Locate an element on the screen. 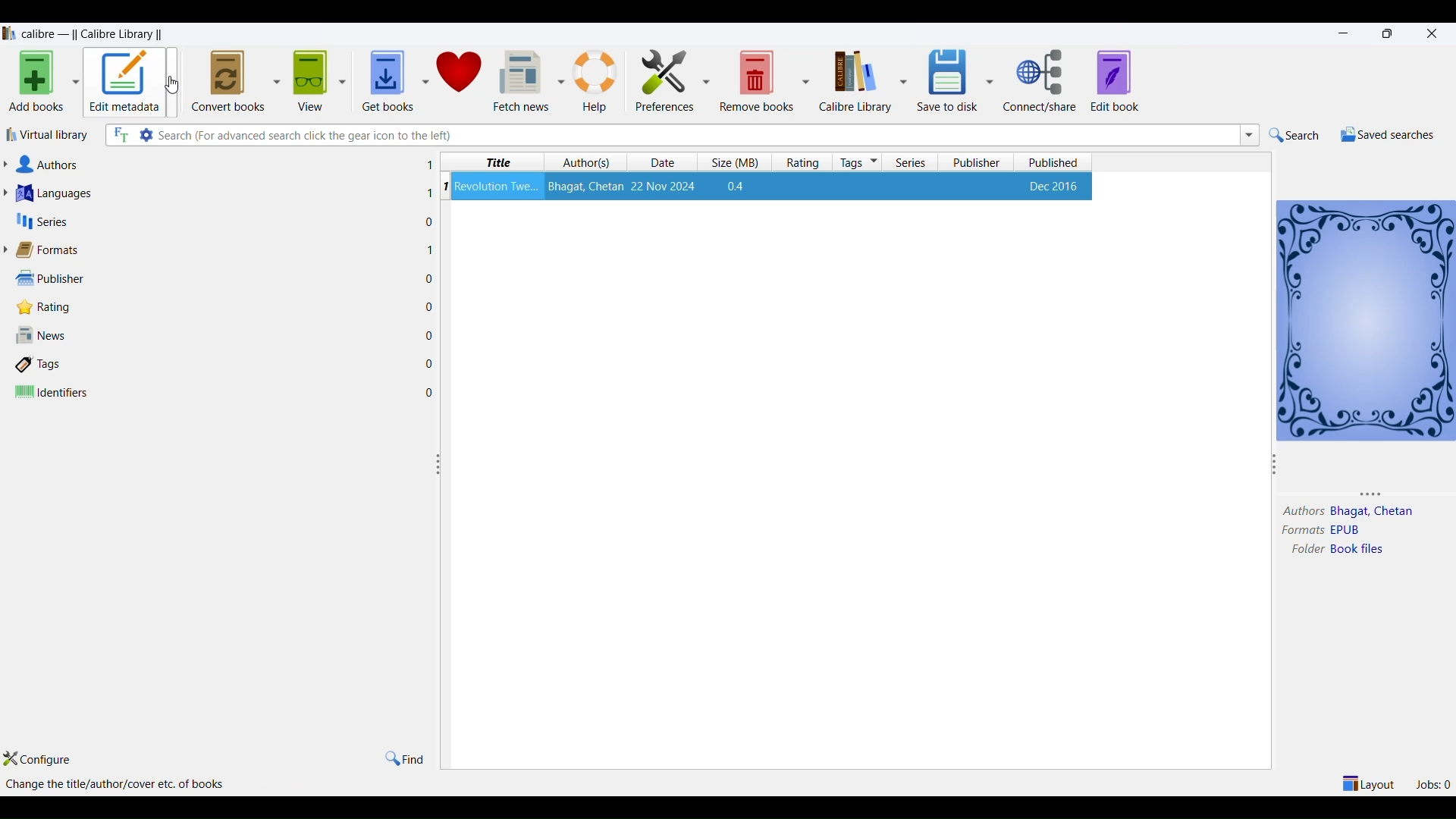 This screenshot has height=819, width=1456. formats is located at coordinates (52, 249).